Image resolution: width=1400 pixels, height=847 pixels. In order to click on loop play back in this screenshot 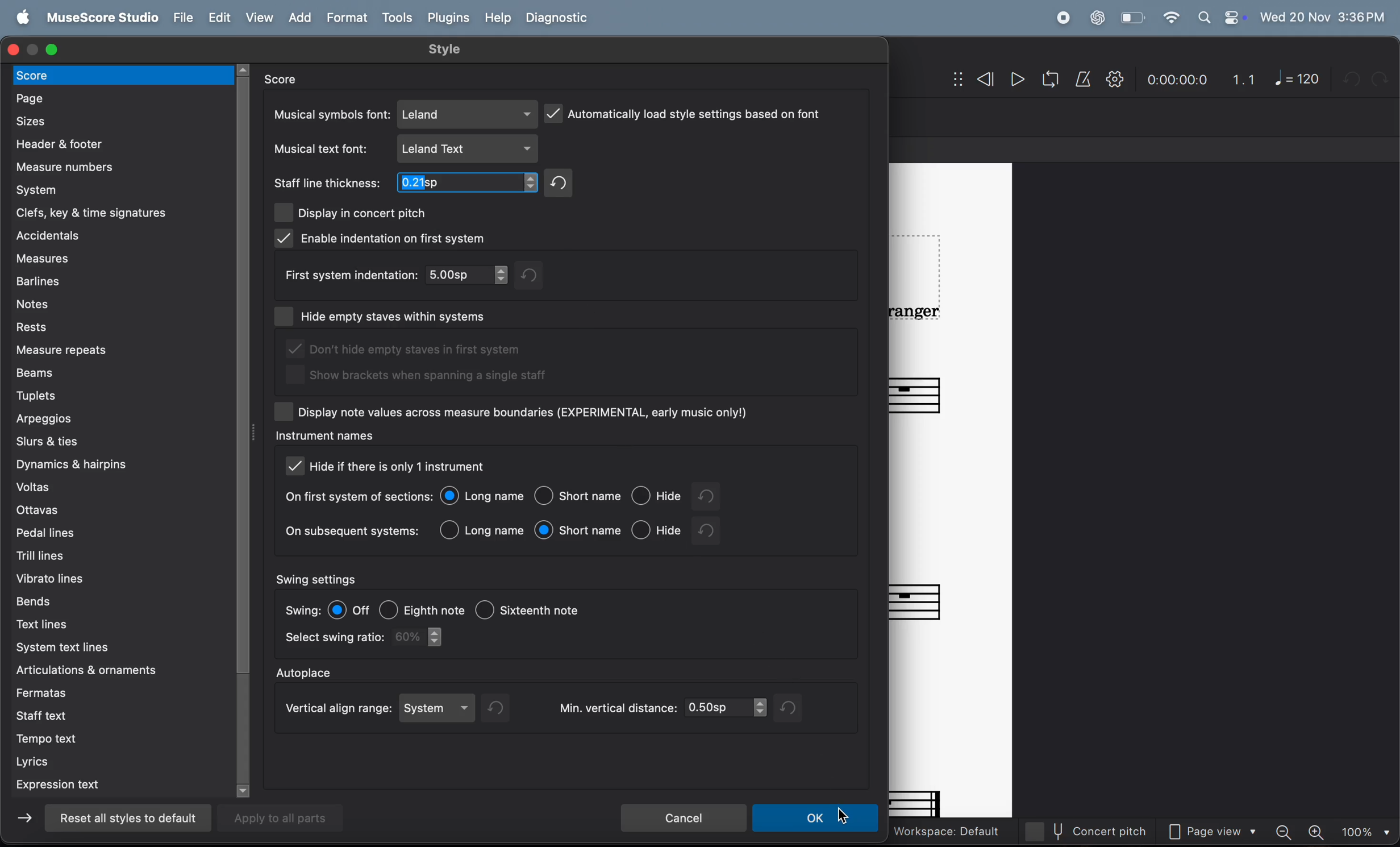, I will do `click(1051, 80)`.